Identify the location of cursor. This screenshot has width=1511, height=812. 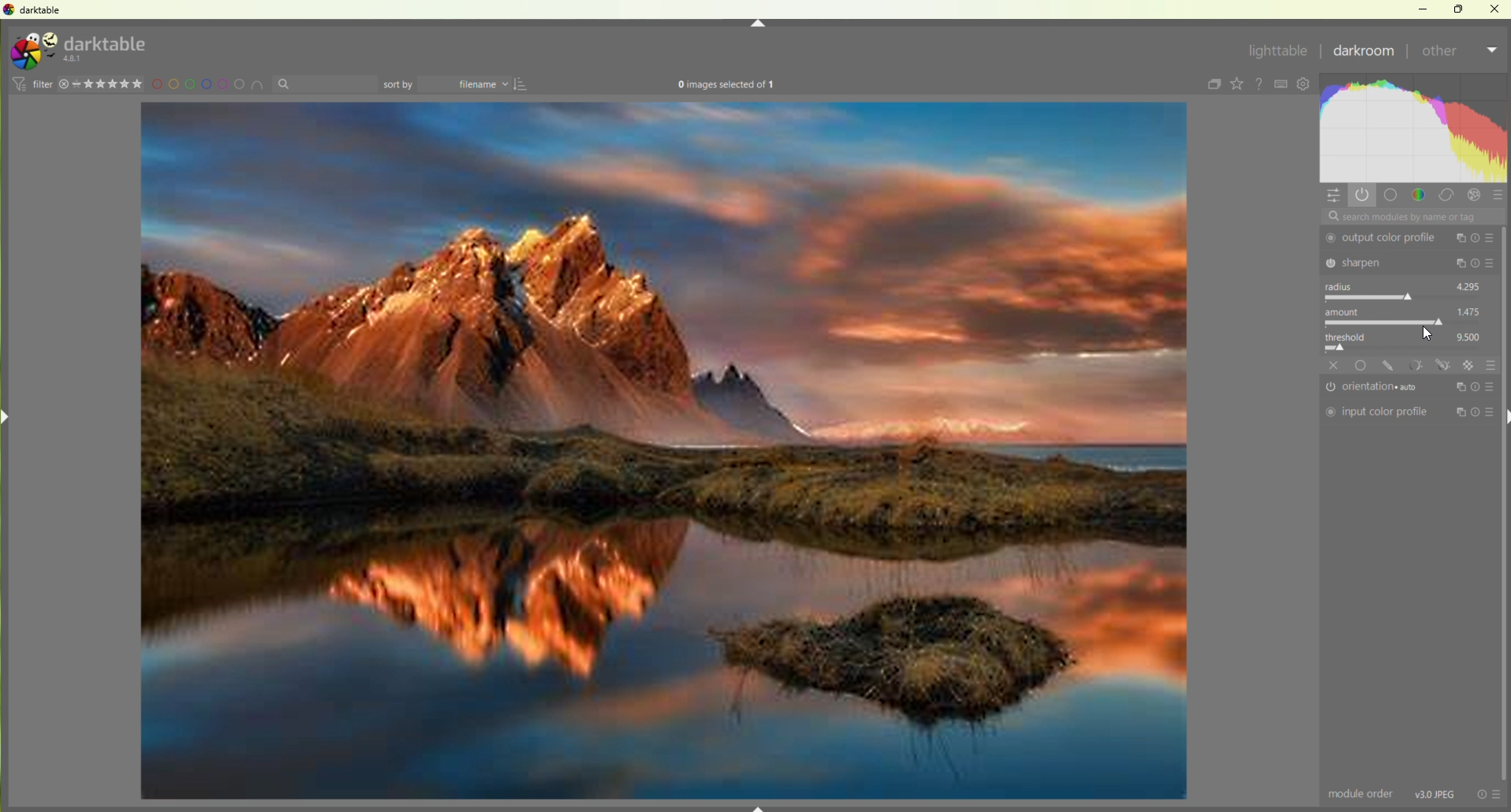
(1420, 333).